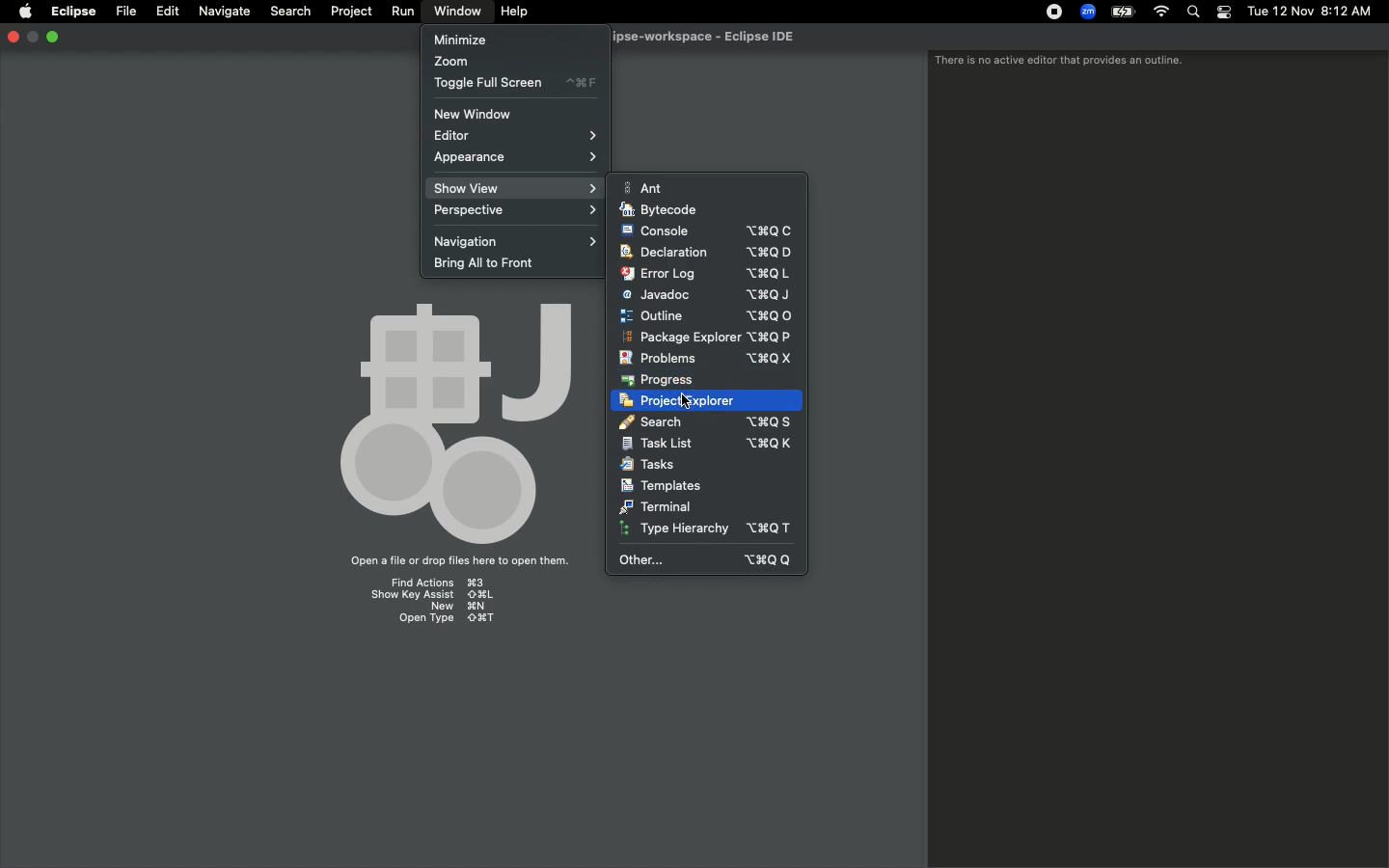  Describe the element at coordinates (222, 12) in the screenshot. I see `Navigate` at that location.